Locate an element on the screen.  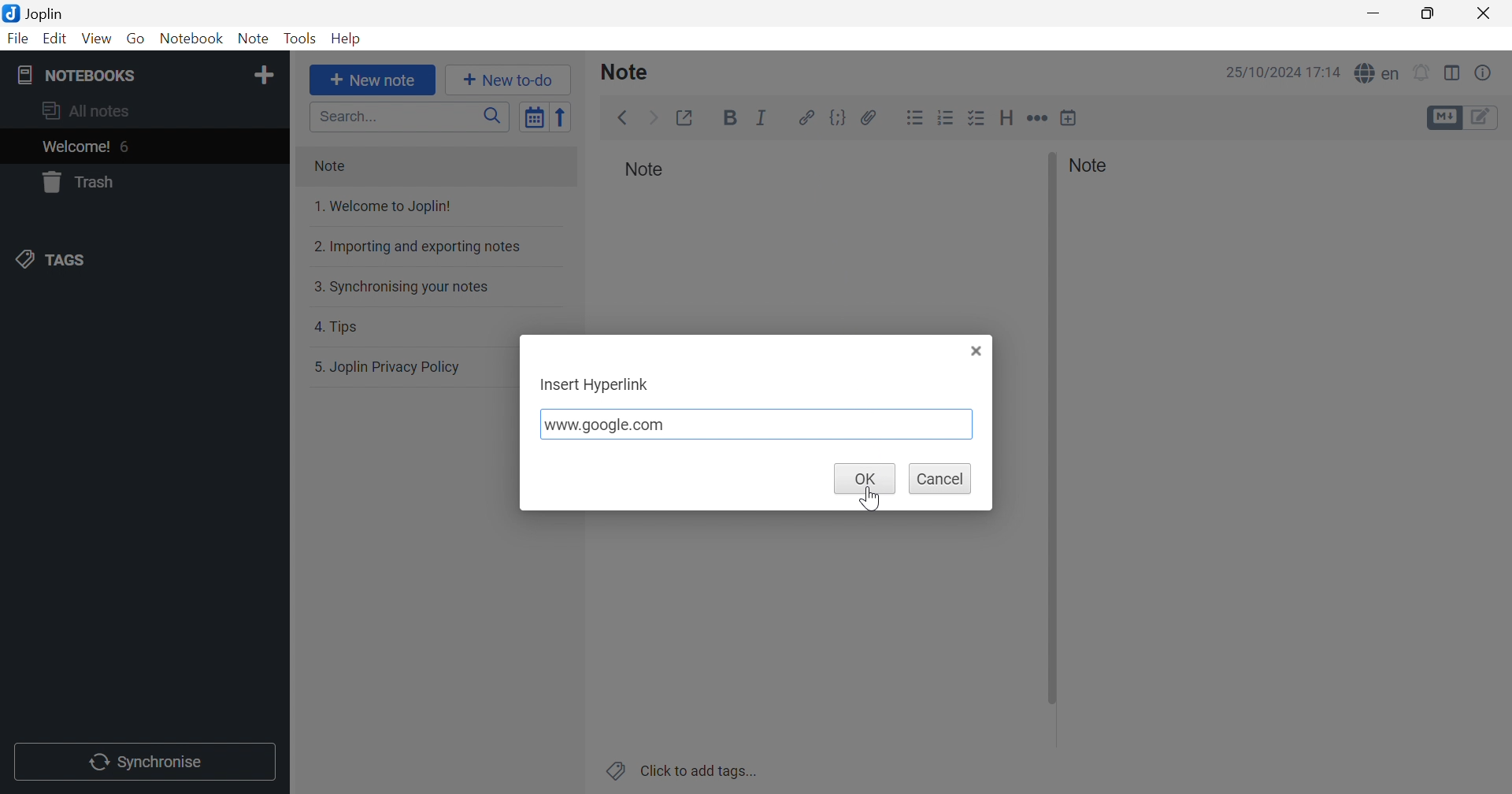
Tags is located at coordinates (141, 260).